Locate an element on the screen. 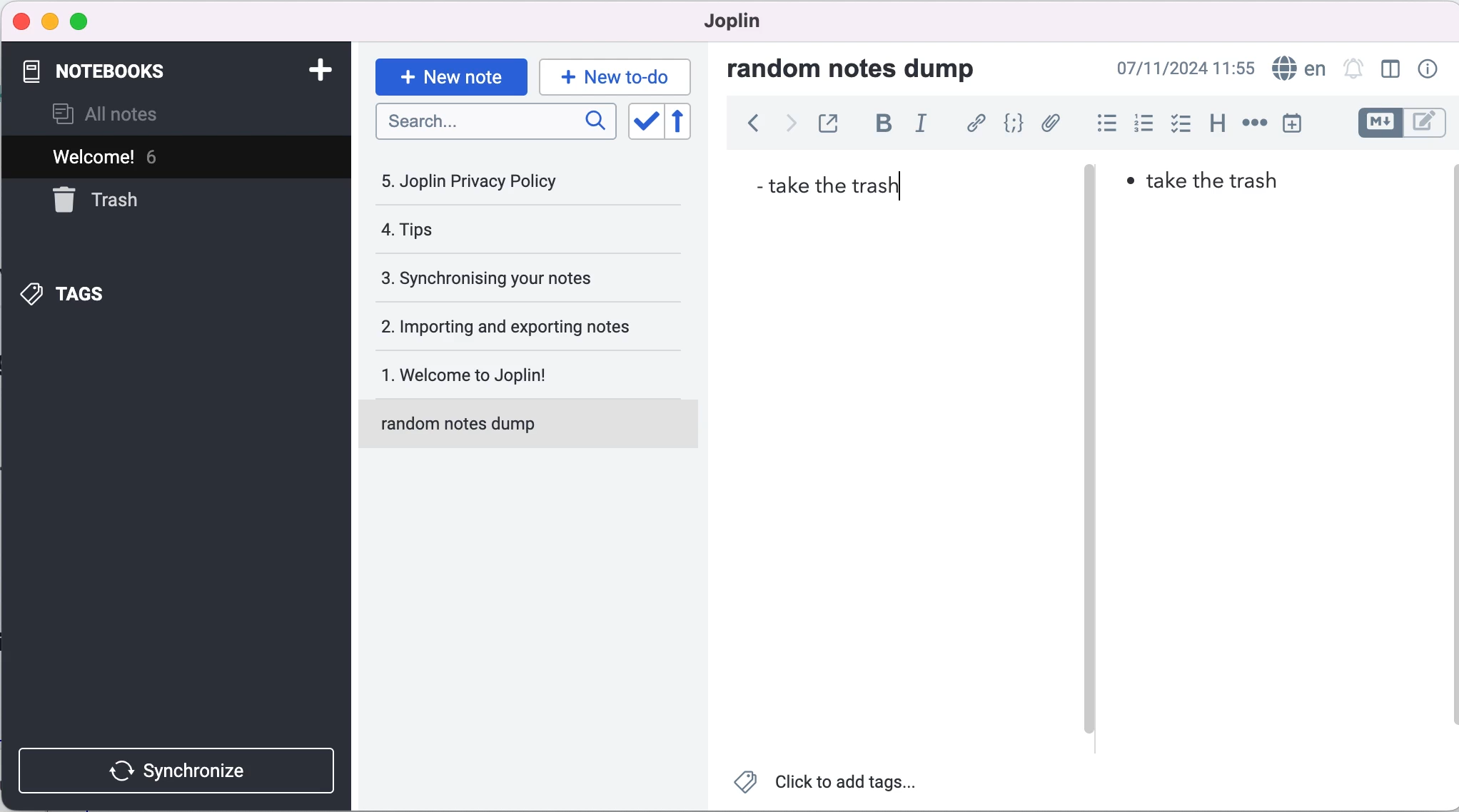 This screenshot has height=812, width=1459. tags is located at coordinates (106, 293).